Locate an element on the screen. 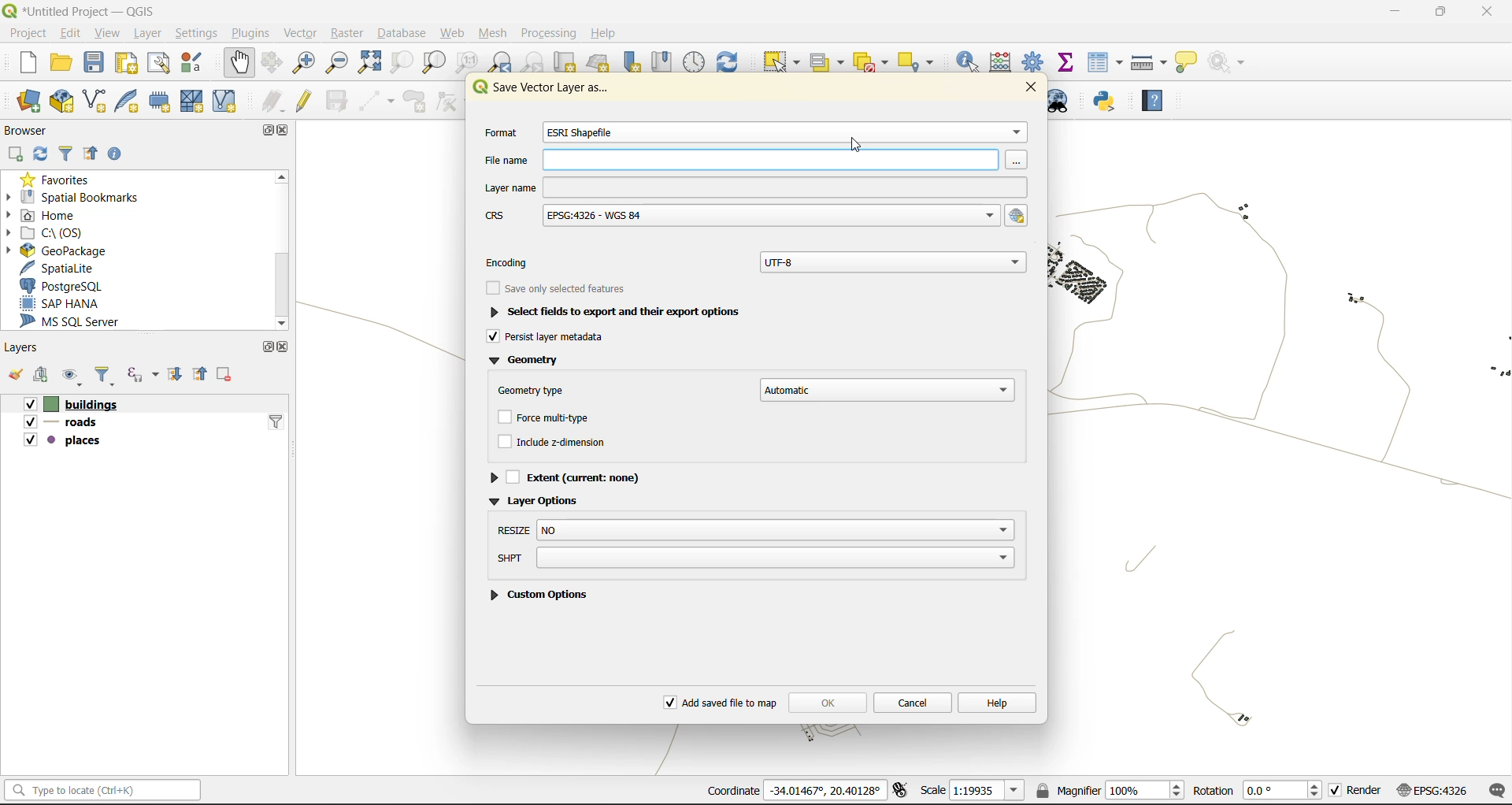 Image resolution: width=1512 pixels, height=805 pixels. zoom full is located at coordinates (369, 62).